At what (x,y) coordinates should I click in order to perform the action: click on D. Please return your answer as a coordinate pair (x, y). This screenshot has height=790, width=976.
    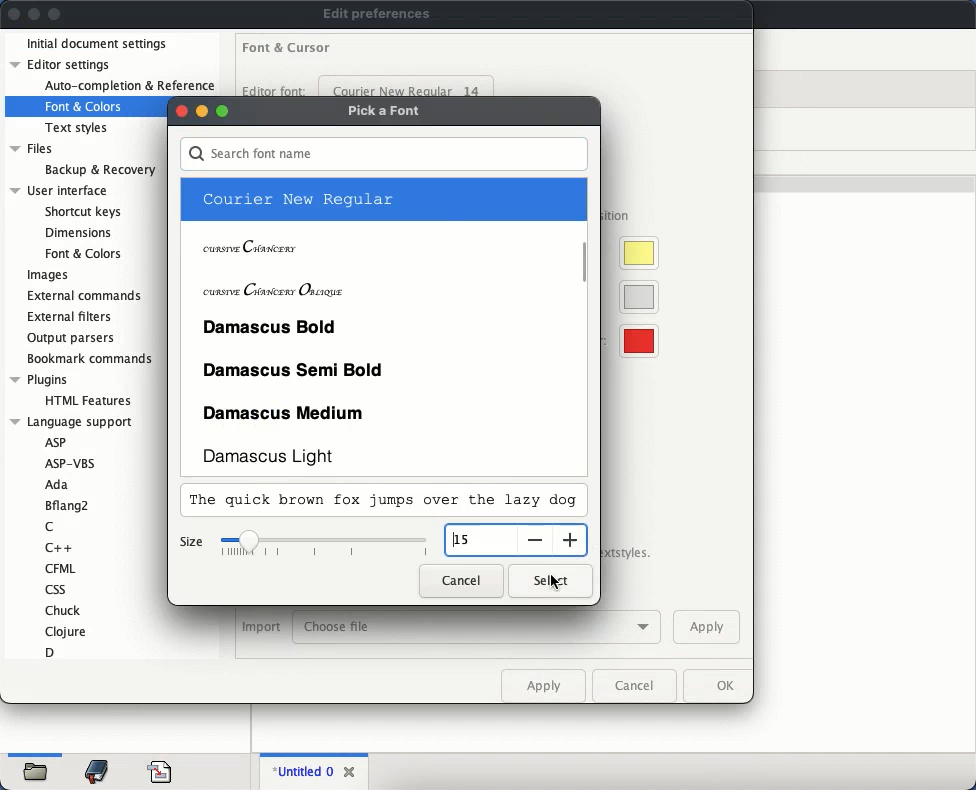
    Looking at the image, I should click on (50, 652).